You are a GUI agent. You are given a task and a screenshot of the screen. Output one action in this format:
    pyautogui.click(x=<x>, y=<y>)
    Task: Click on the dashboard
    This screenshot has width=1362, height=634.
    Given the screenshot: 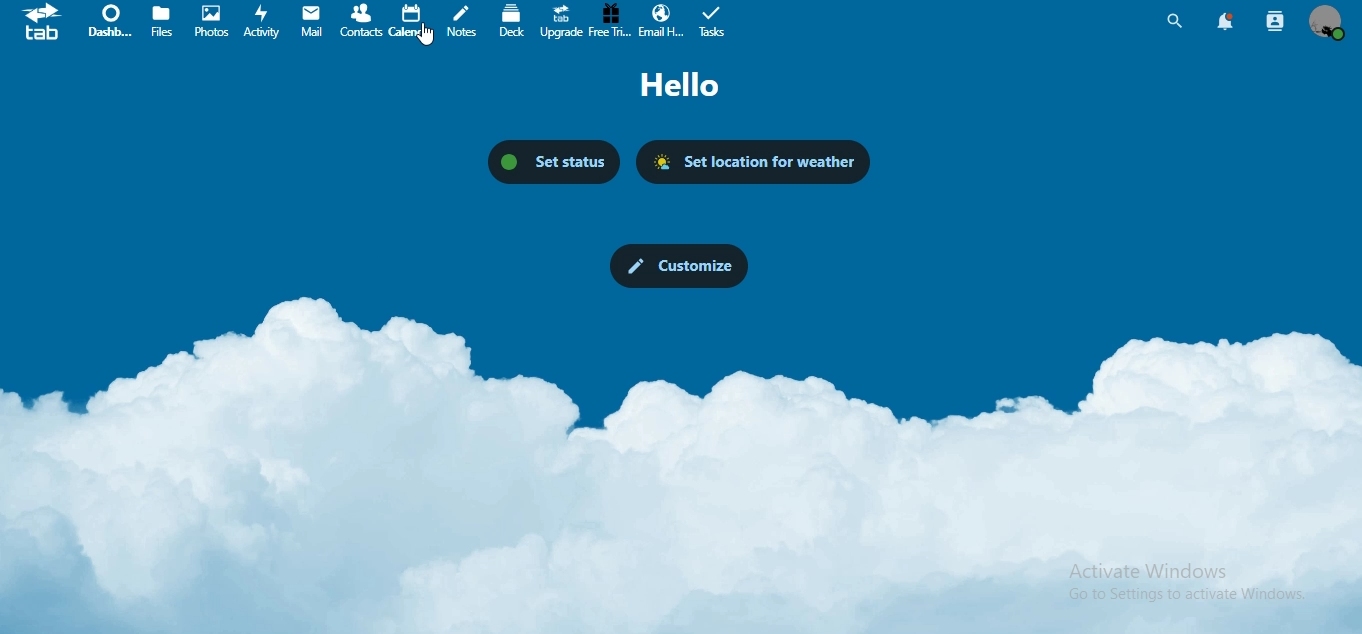 What is the action you would take?
    pyautogui.click(x=109, y=23)
    